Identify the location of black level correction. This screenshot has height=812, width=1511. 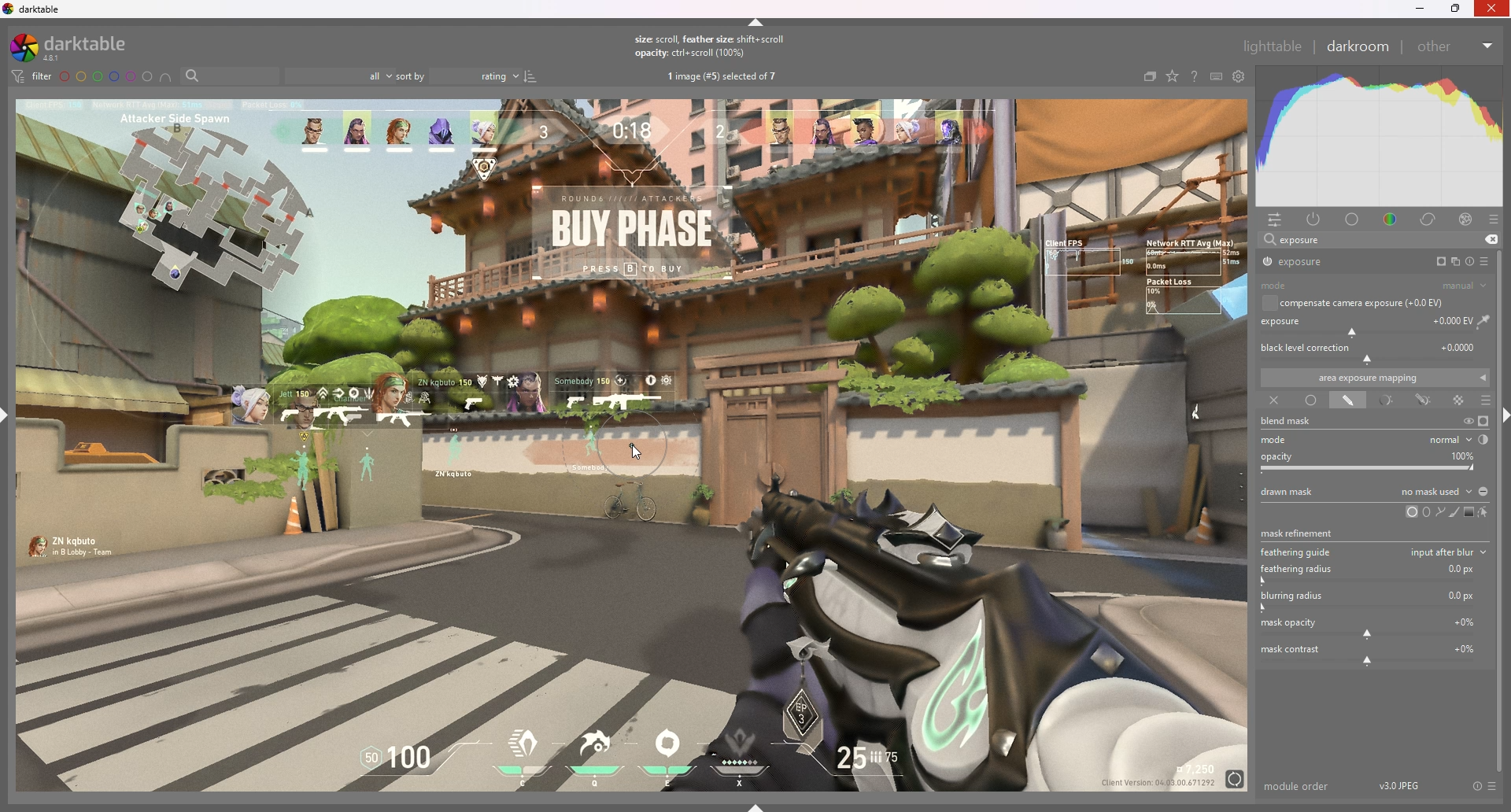
(1373, 352).